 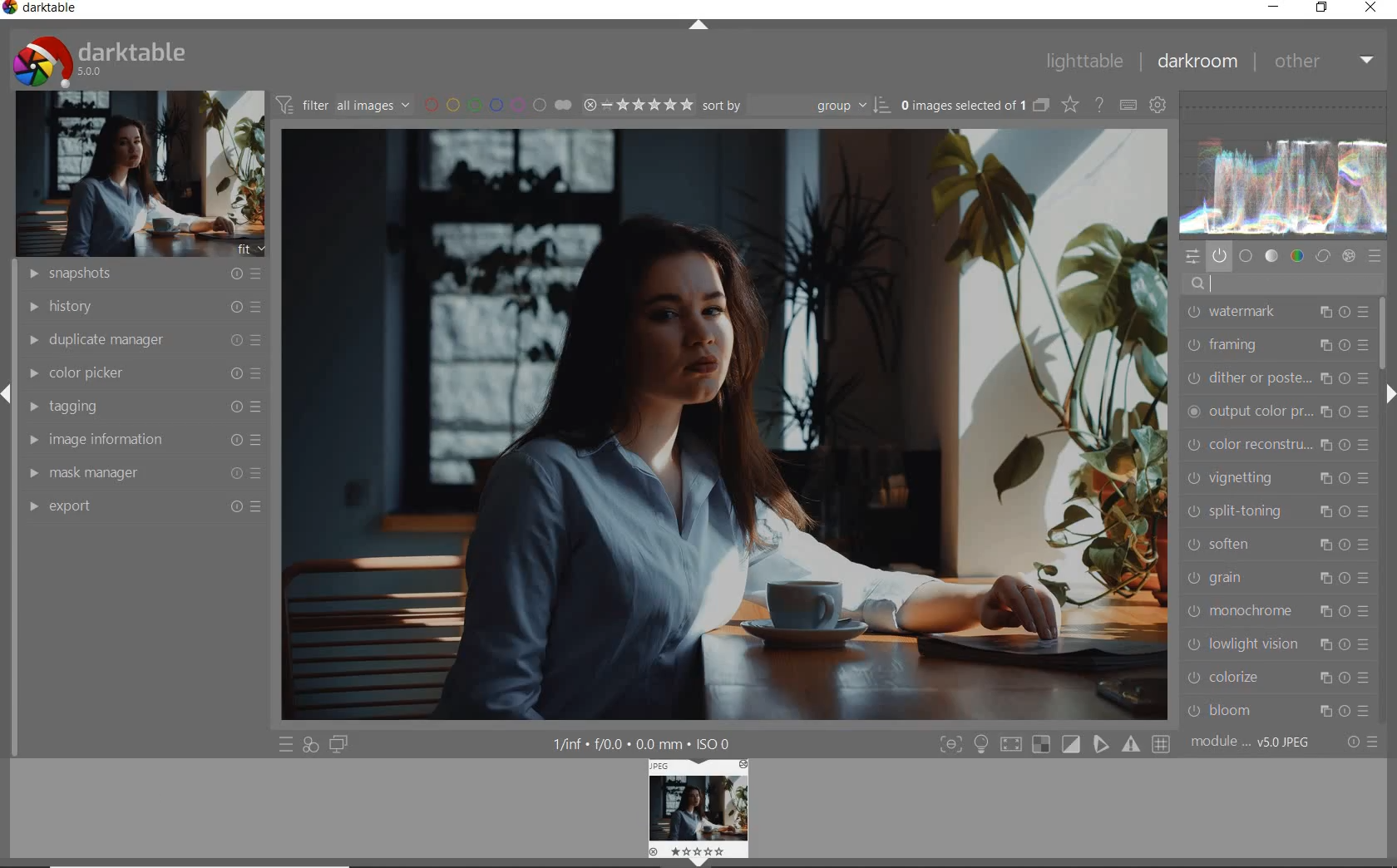 I want to click on selected Image range rating, so click(x=639, y=105).